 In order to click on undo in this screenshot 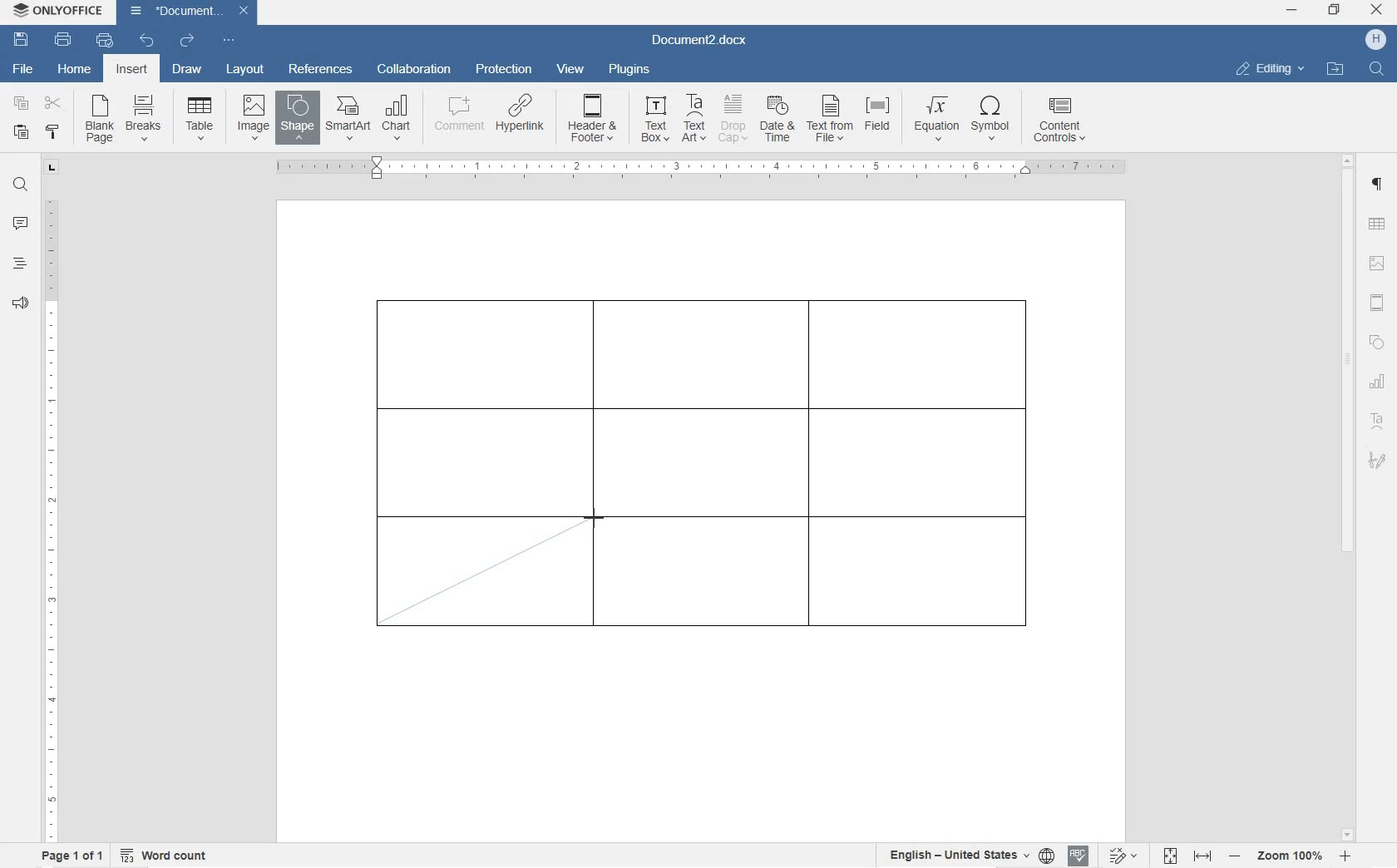, I will do `click(146, 41)`.